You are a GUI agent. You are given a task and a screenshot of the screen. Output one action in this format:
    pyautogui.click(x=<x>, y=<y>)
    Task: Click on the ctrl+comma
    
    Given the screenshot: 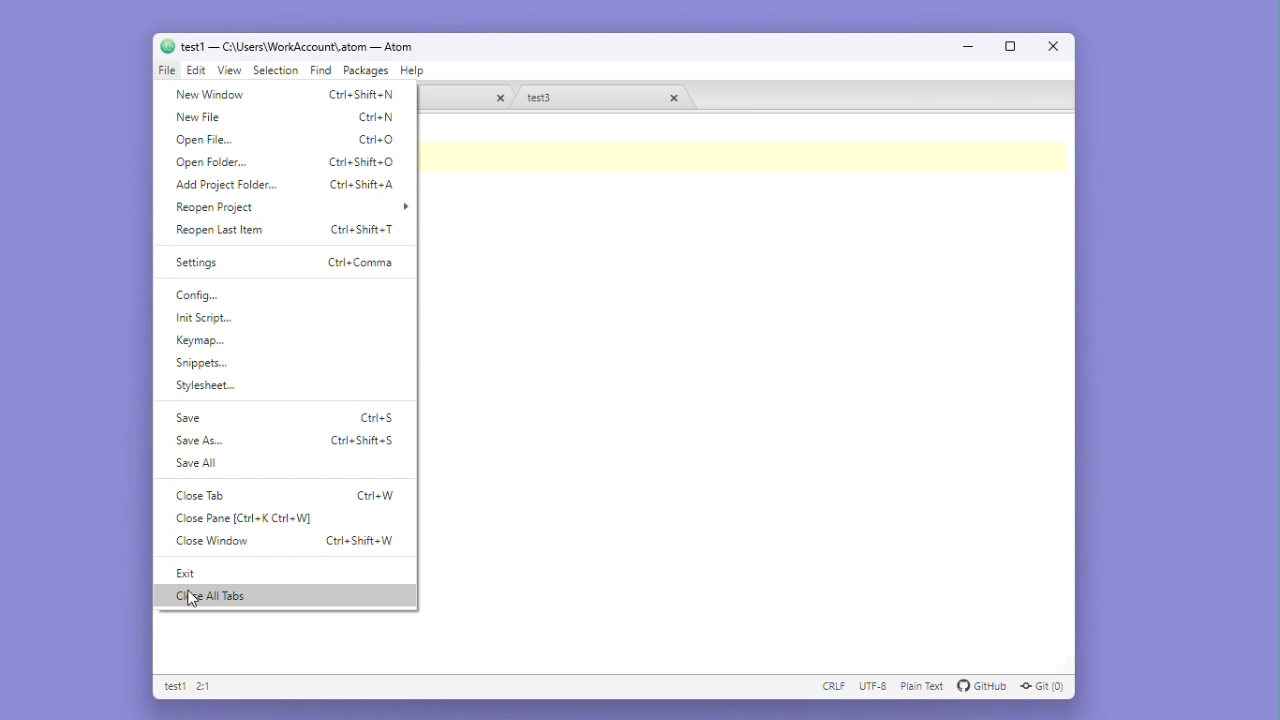 What is the action you would take?
    pyautogui.click(x=365, y=263)
    